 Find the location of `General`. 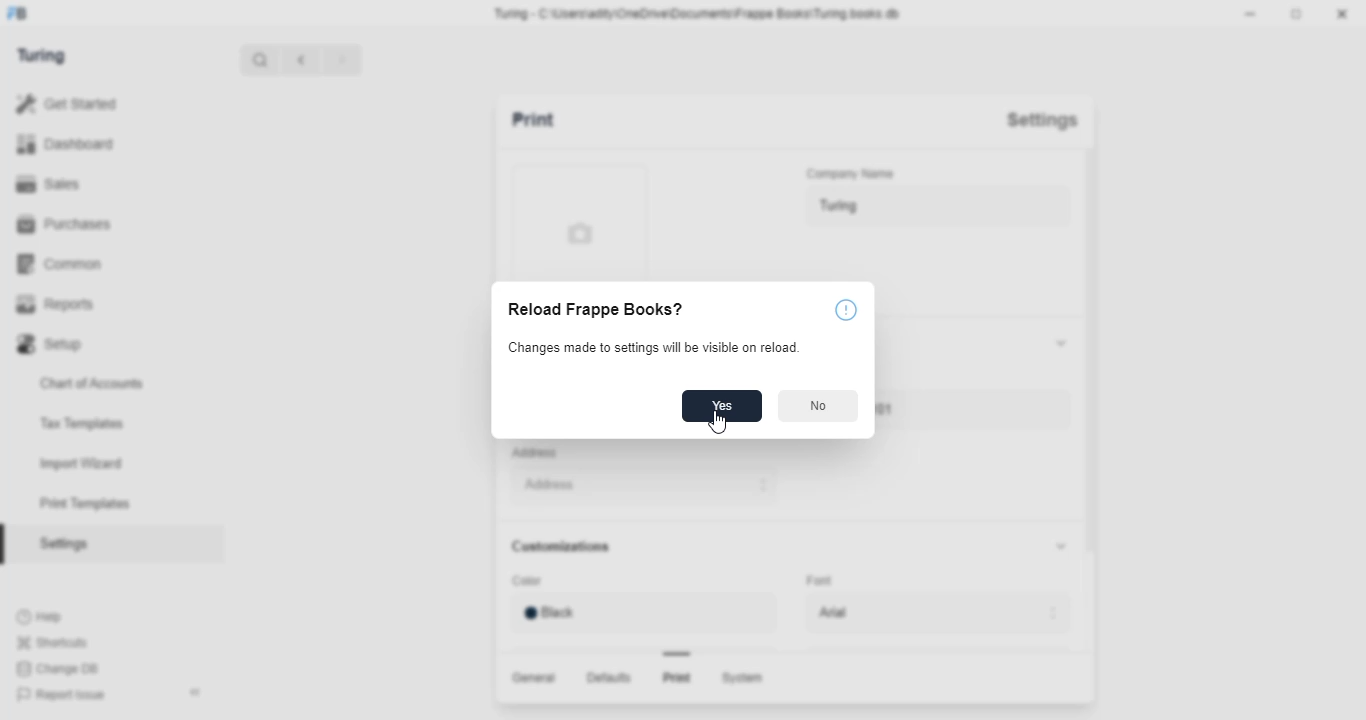

General is located at coordinates (530, 676).